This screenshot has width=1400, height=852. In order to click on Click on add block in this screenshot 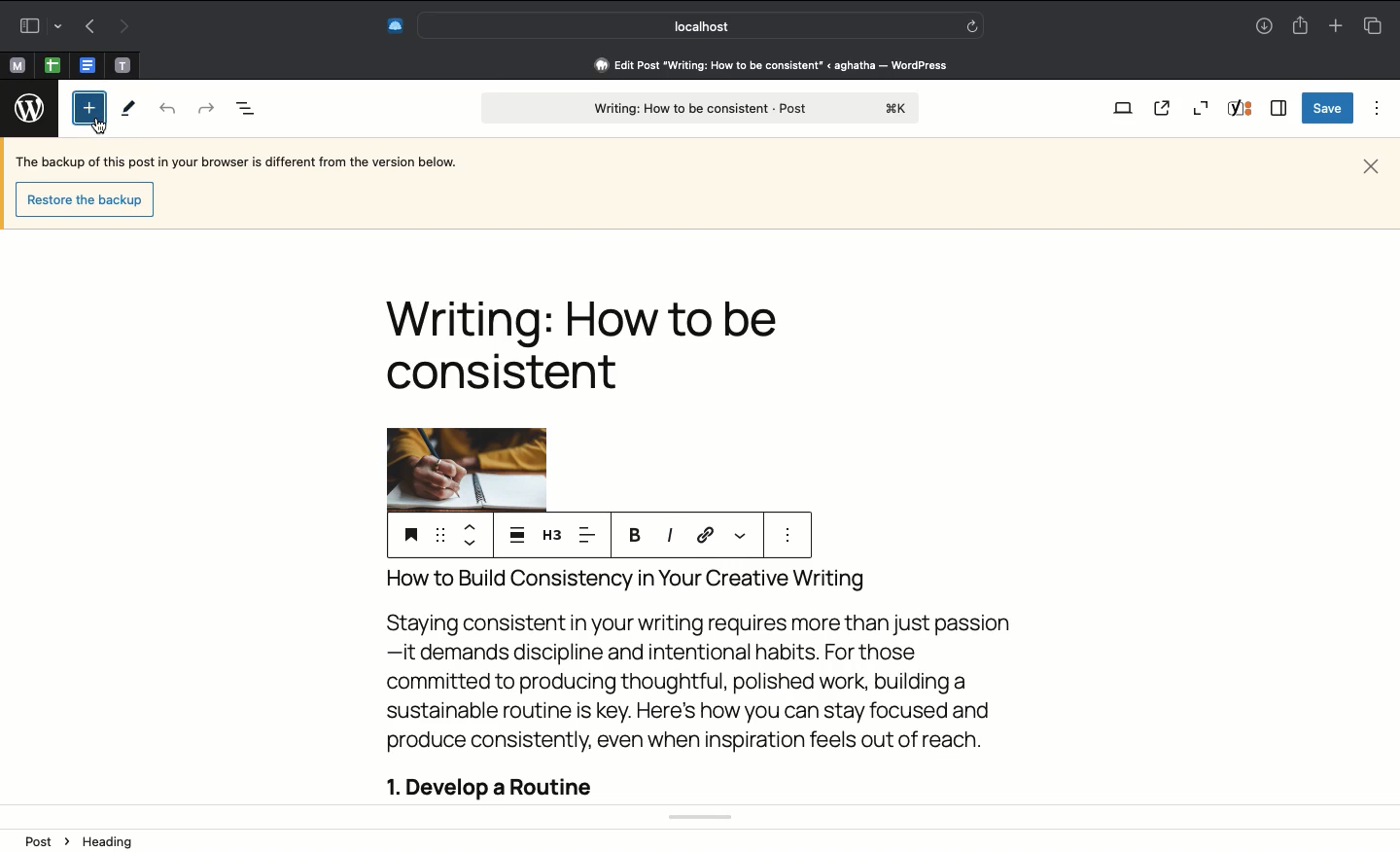, I will do `click(89, 112)`.